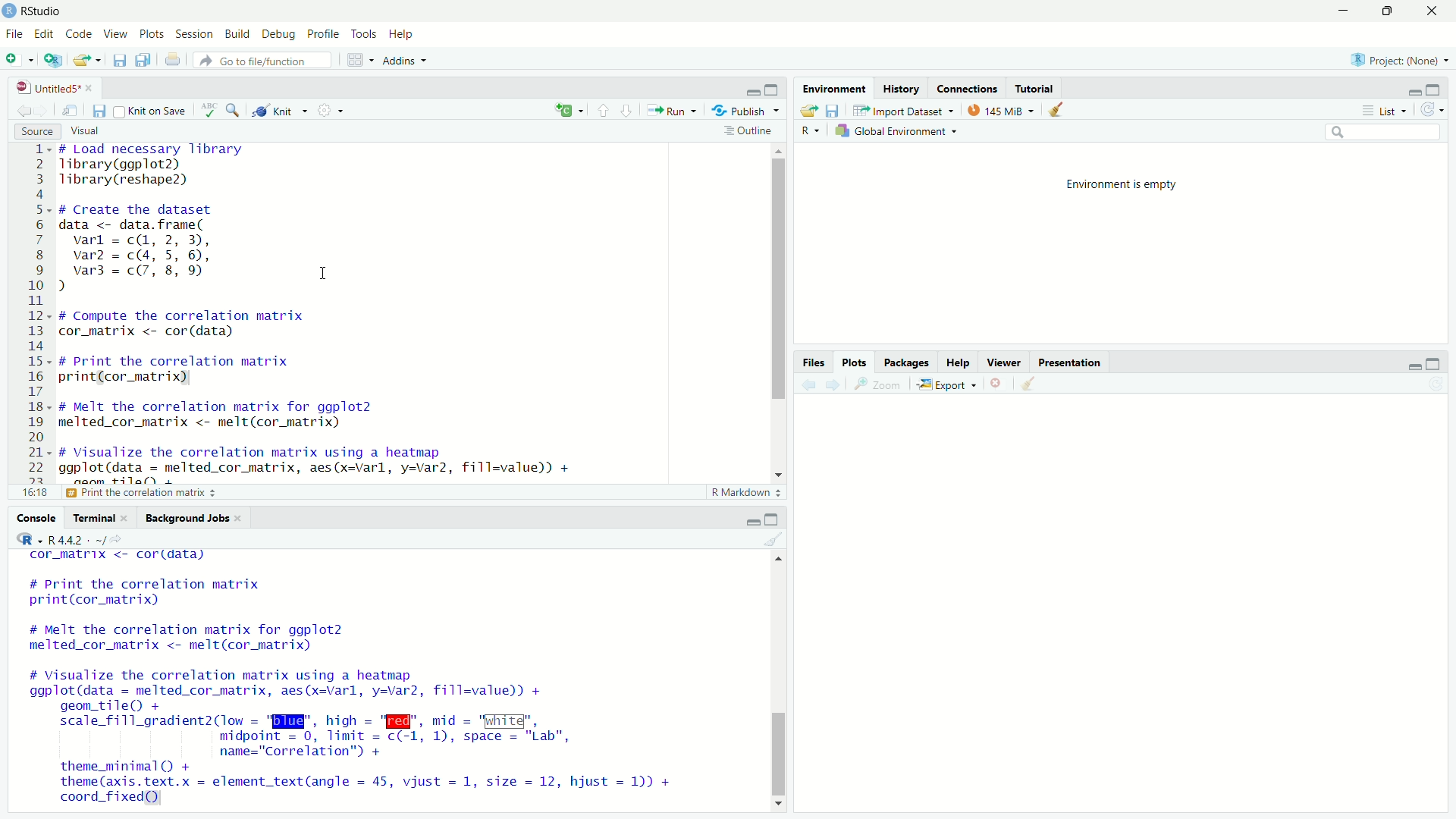 Image resolution: width=1456 pixels, height=819 pixels. Describe the element at coordinates (1343, 11) in the screenshot. I see `minimize` at that location.